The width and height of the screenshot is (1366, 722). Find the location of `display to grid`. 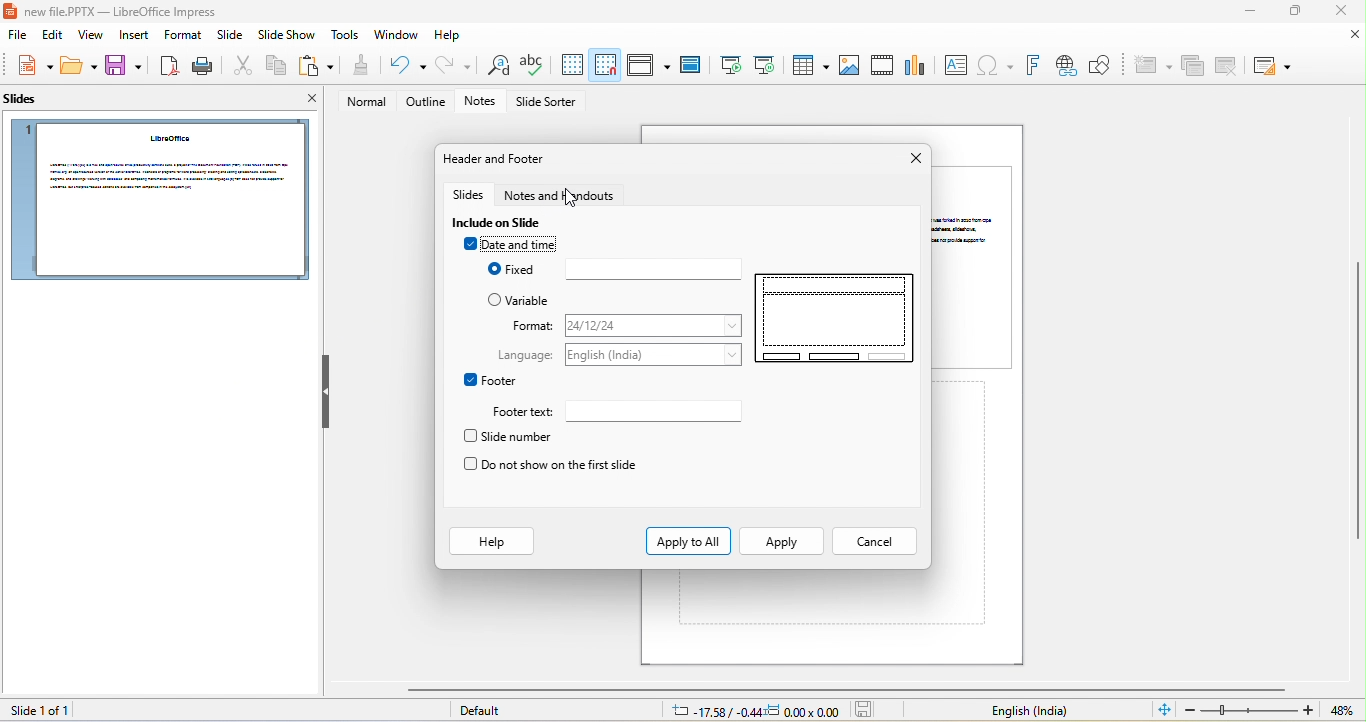

display to grid is located at coordinates (571, 65).